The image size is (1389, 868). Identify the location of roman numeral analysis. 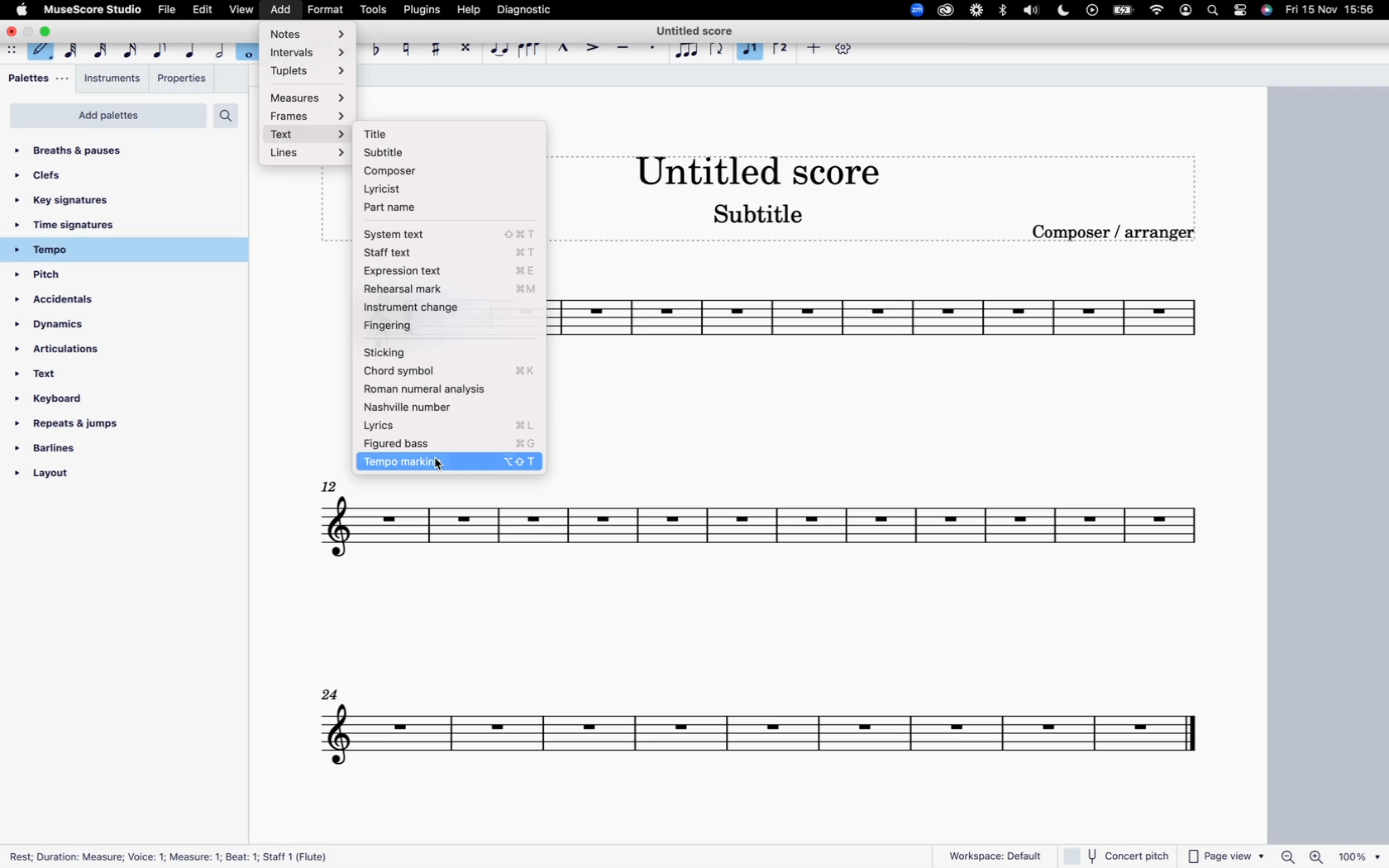
(456, 389).